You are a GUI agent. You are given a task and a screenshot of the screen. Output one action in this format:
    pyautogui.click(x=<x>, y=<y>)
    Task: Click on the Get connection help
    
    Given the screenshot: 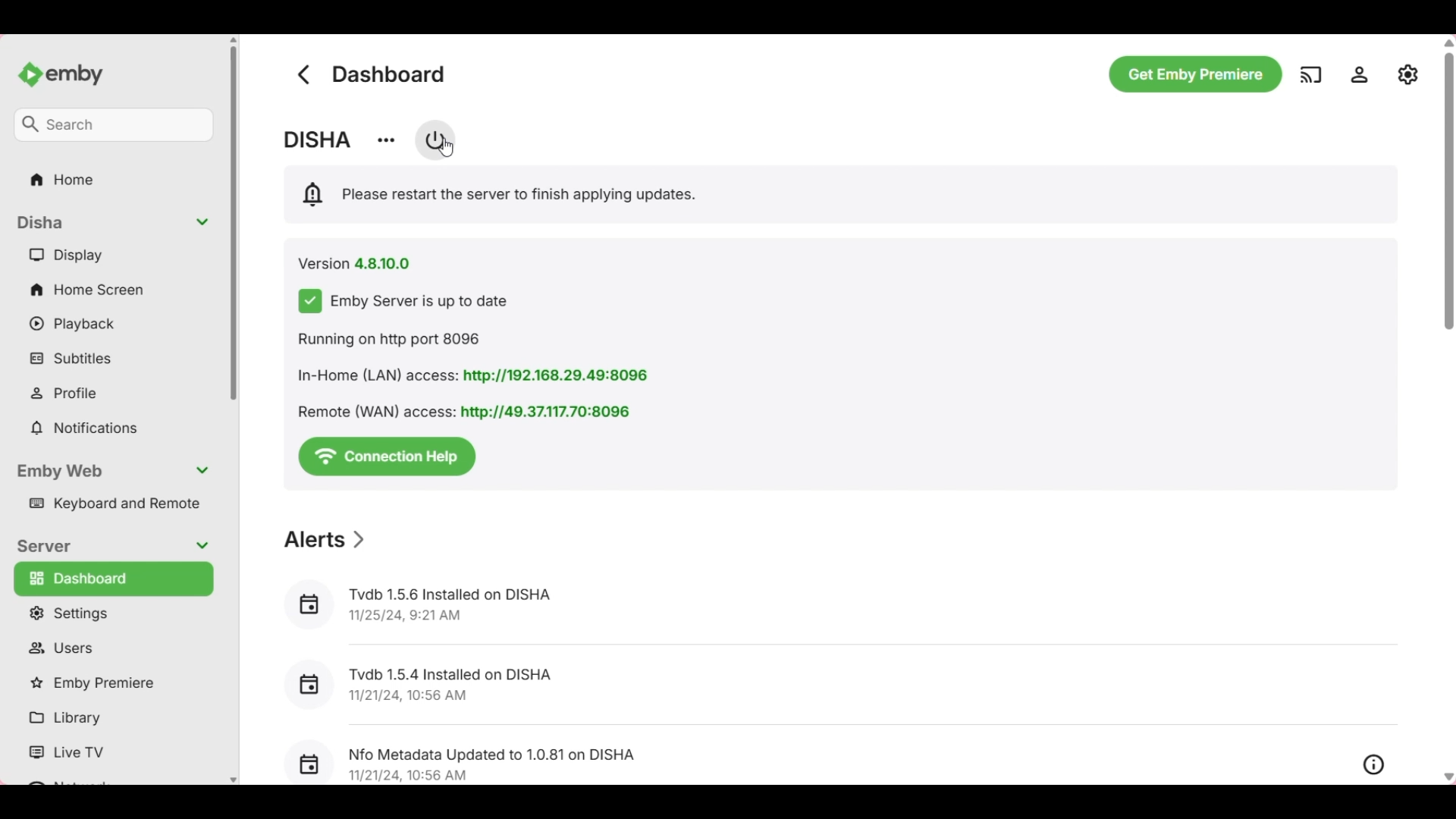 What is the action you would take?
    pyautogui.click(x=387, y=457)
    